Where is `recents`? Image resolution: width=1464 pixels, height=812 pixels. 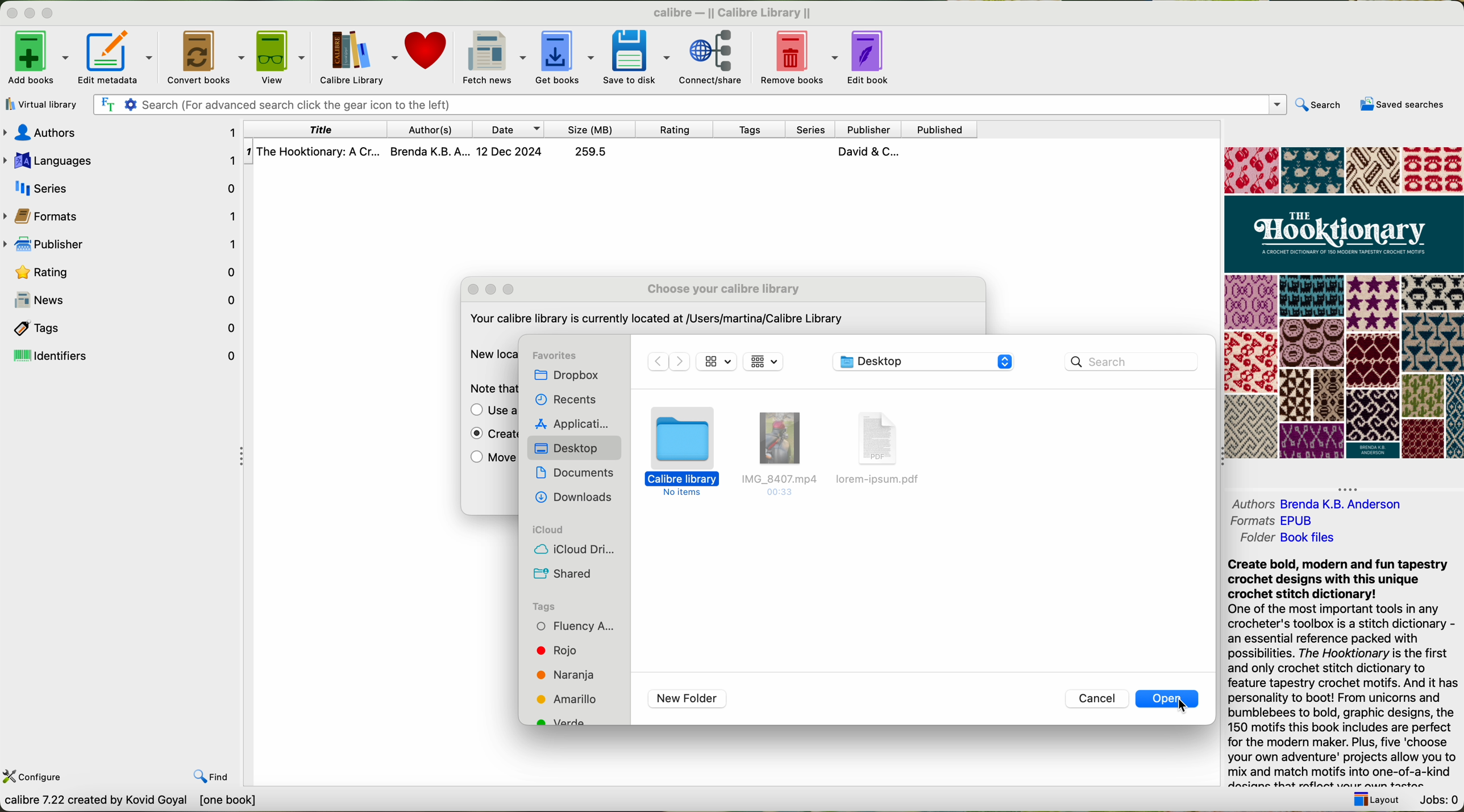 recents is located at coordinates (567, 398).